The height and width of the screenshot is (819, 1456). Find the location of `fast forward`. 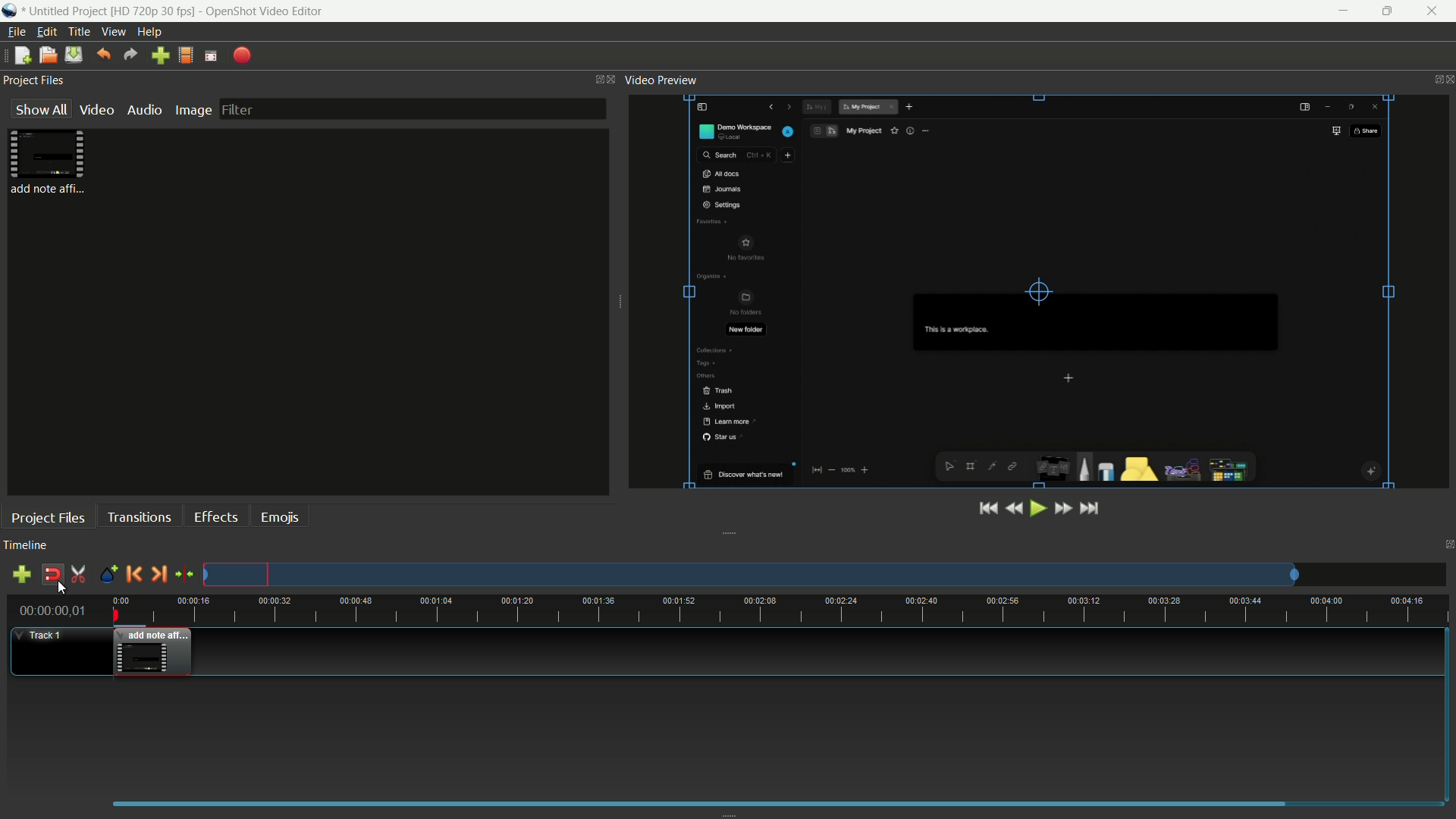

fast forward is located at coordinates (1062, 510).